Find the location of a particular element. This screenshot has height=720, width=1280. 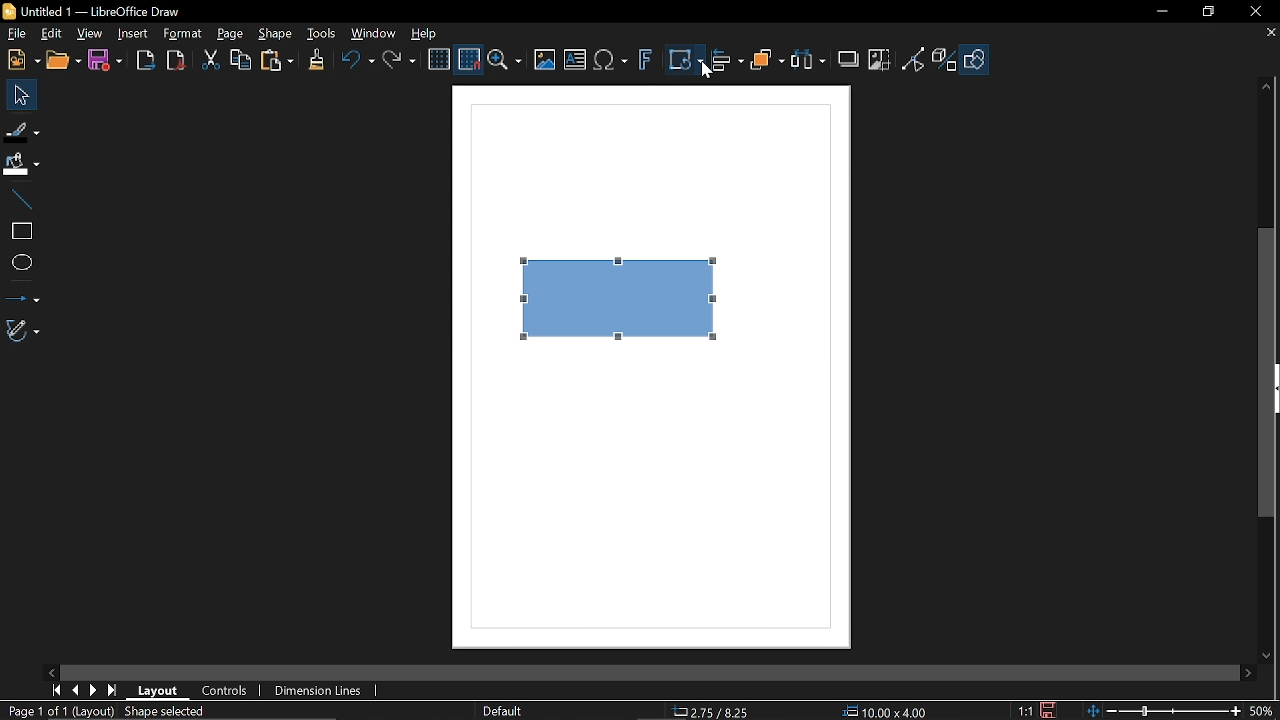

Rectangle is located at coordinates (20, 231).